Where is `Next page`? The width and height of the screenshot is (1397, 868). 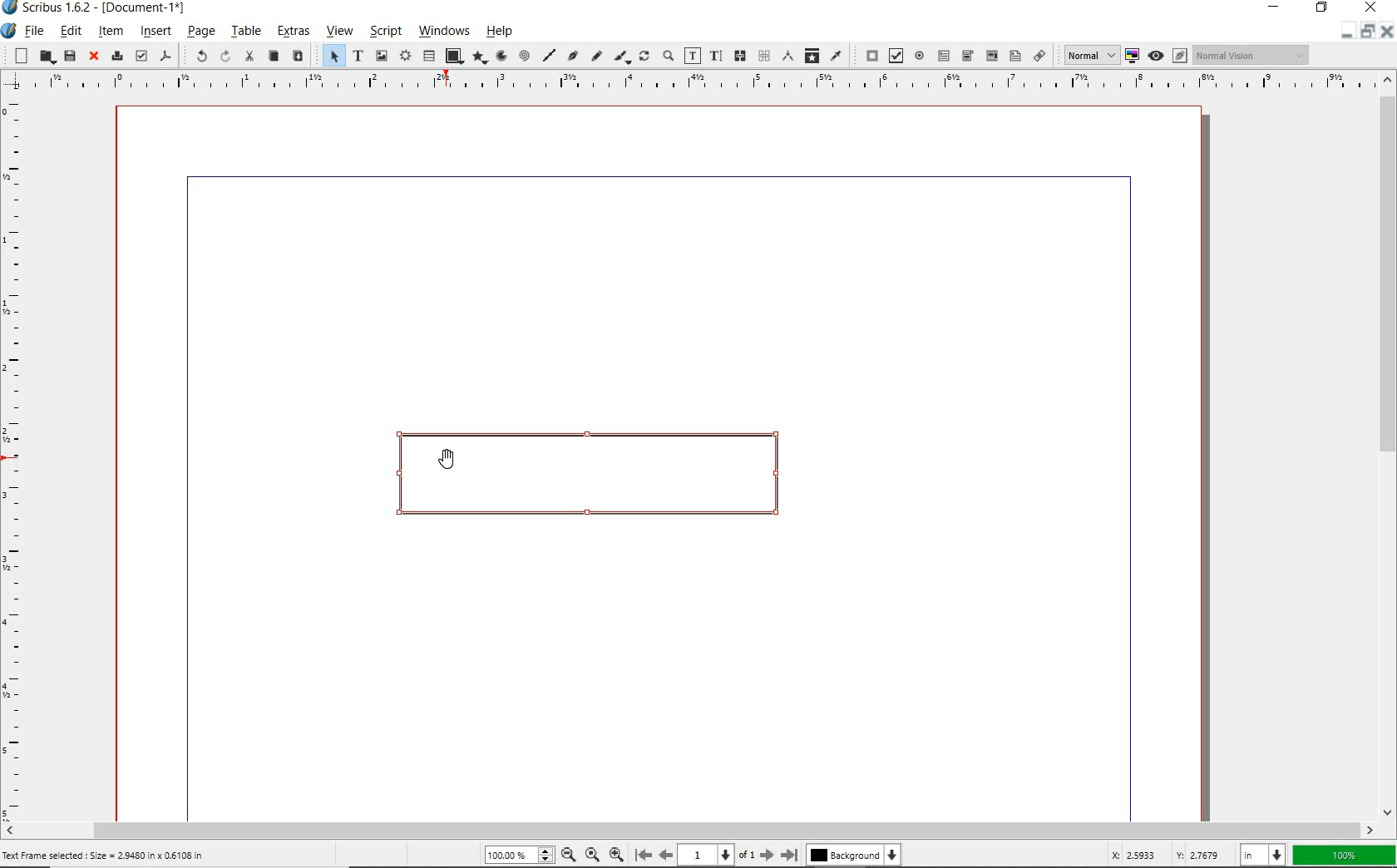 Next page is located at coordinates (766, 855).